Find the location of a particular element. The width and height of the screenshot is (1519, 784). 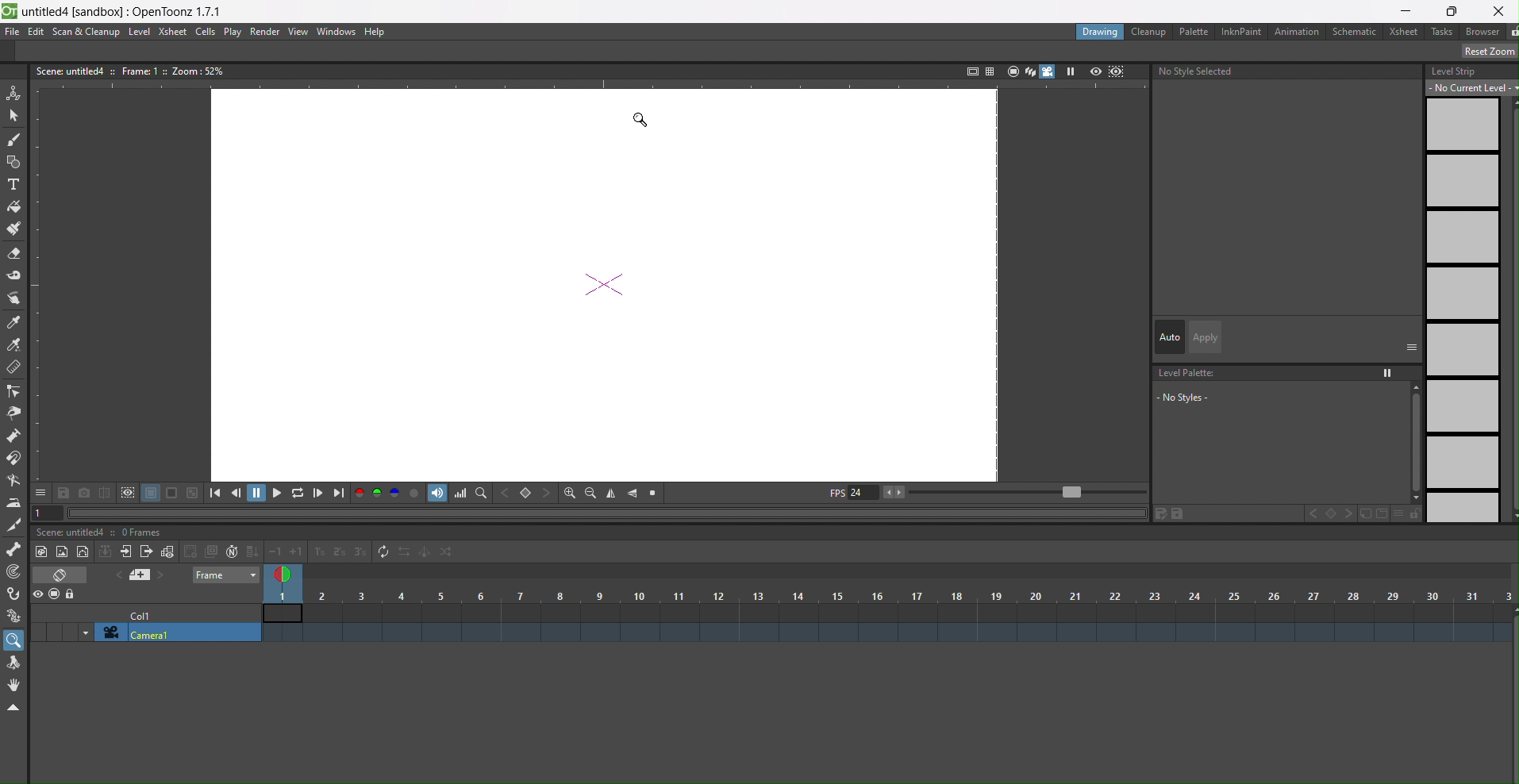

 is located at coordinates (16, 345).